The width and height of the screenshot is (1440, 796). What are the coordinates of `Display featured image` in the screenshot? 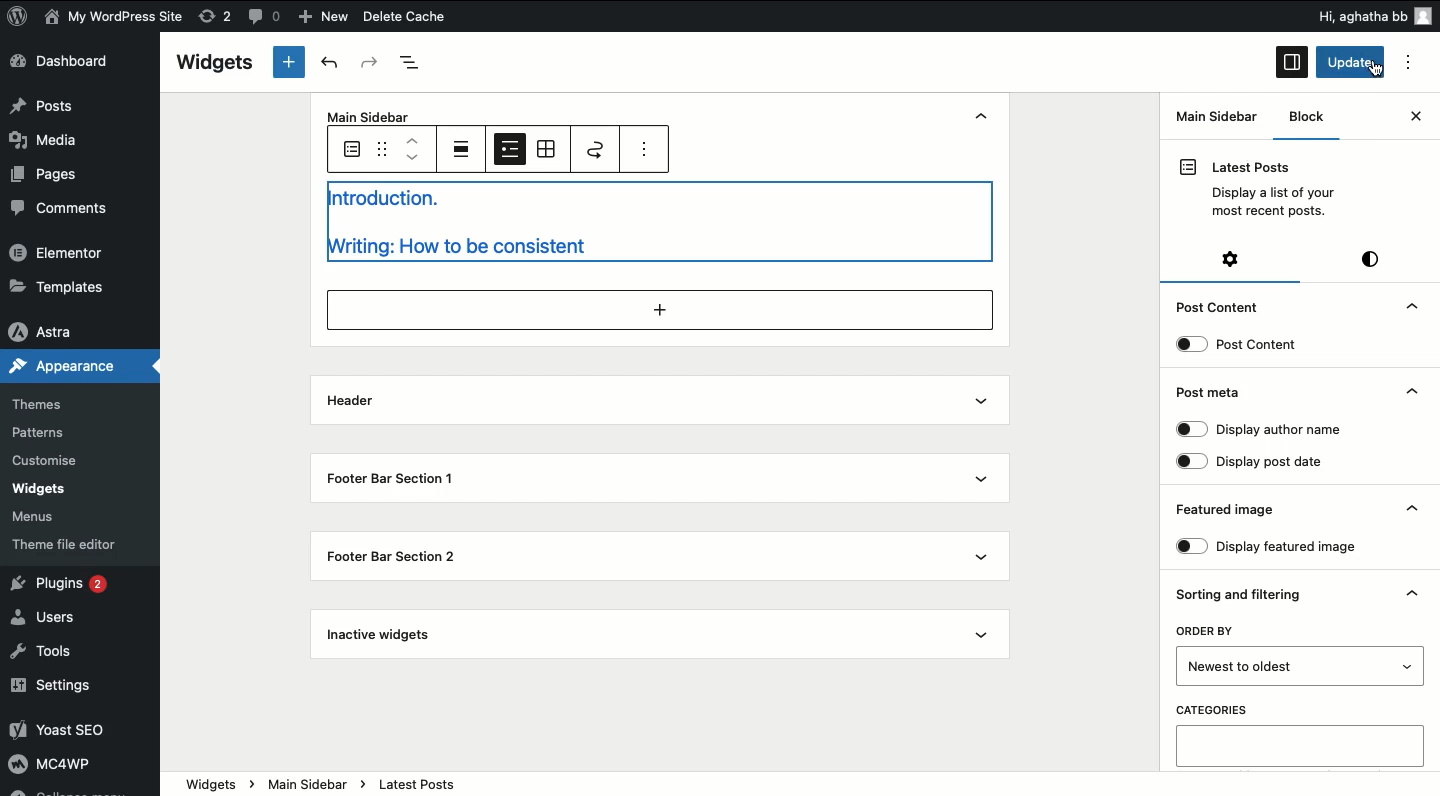 It's located at (1269, 546).